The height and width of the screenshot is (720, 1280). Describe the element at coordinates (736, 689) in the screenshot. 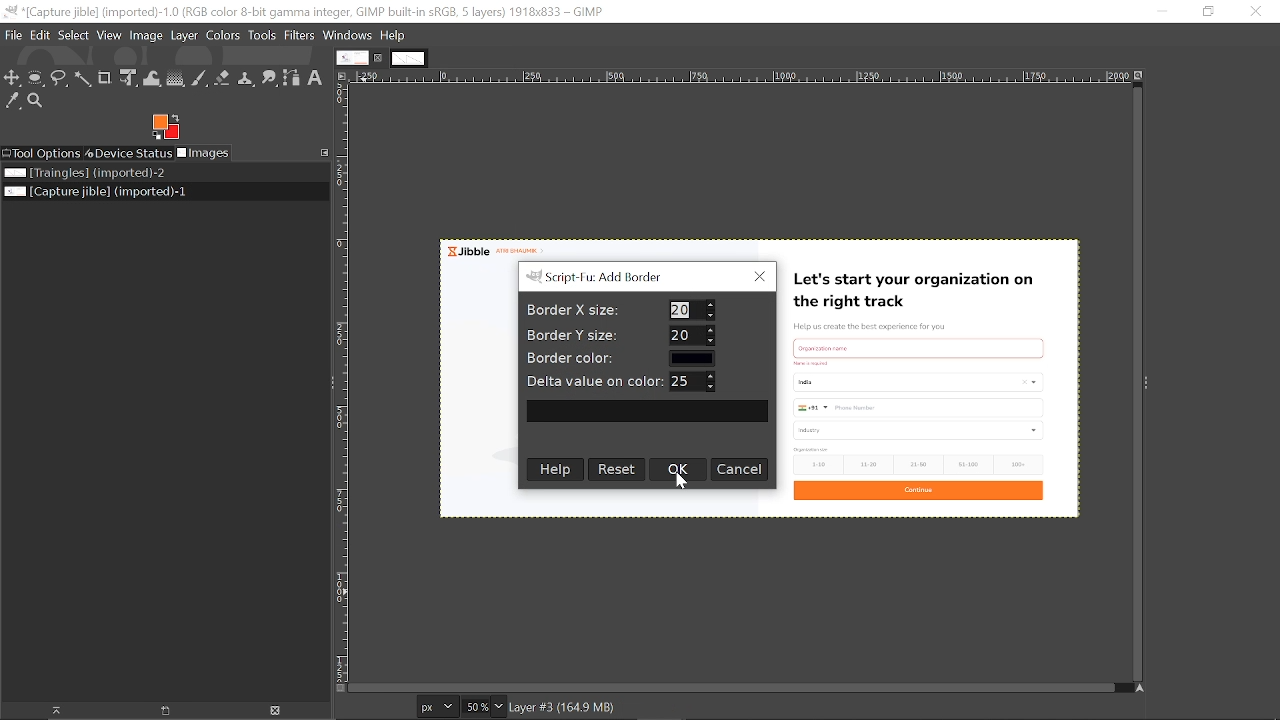

I see `Horizontal scrollbar` at that location.